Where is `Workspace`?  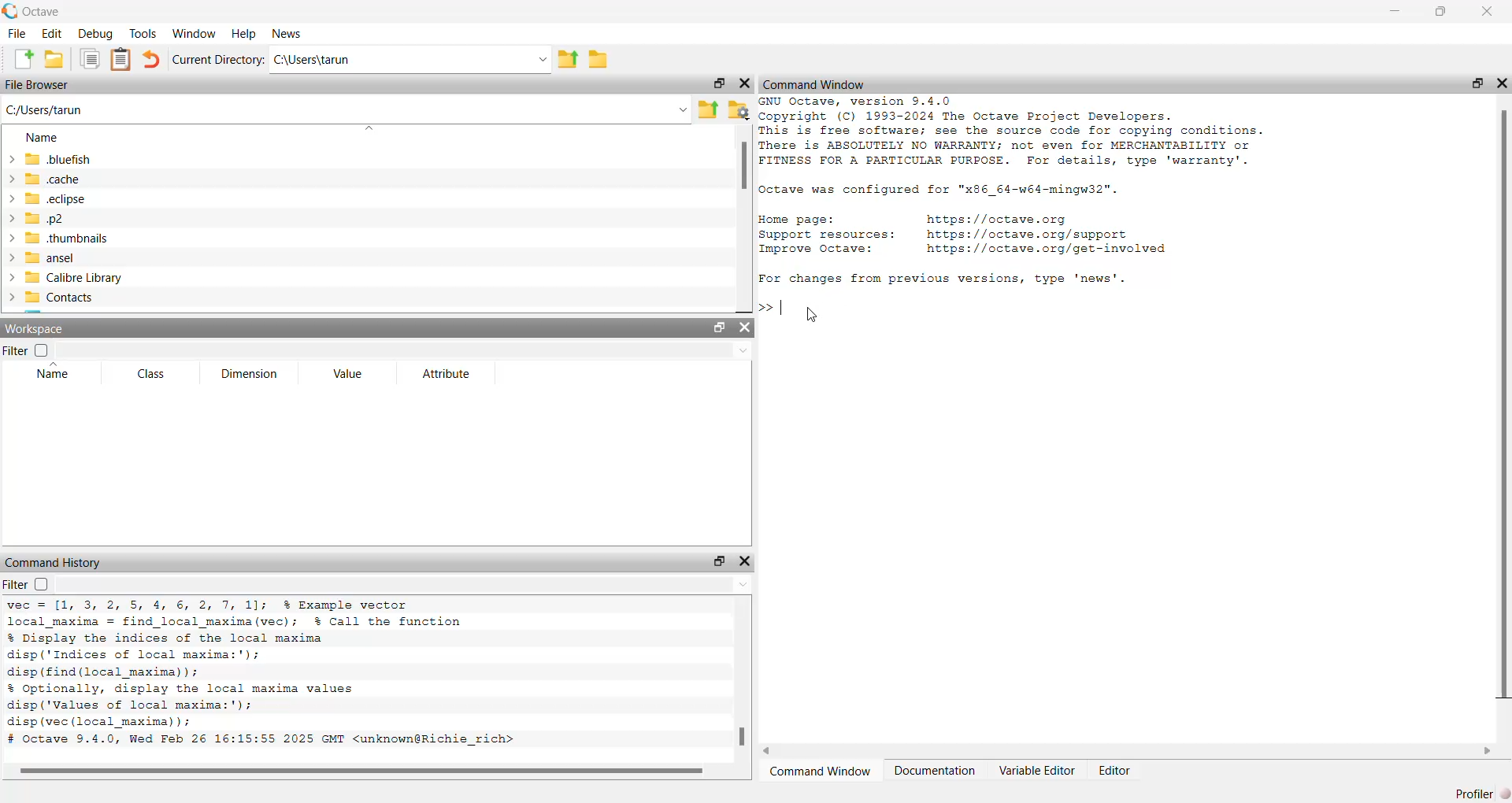
Workspace is located at coordinates (39, 328).